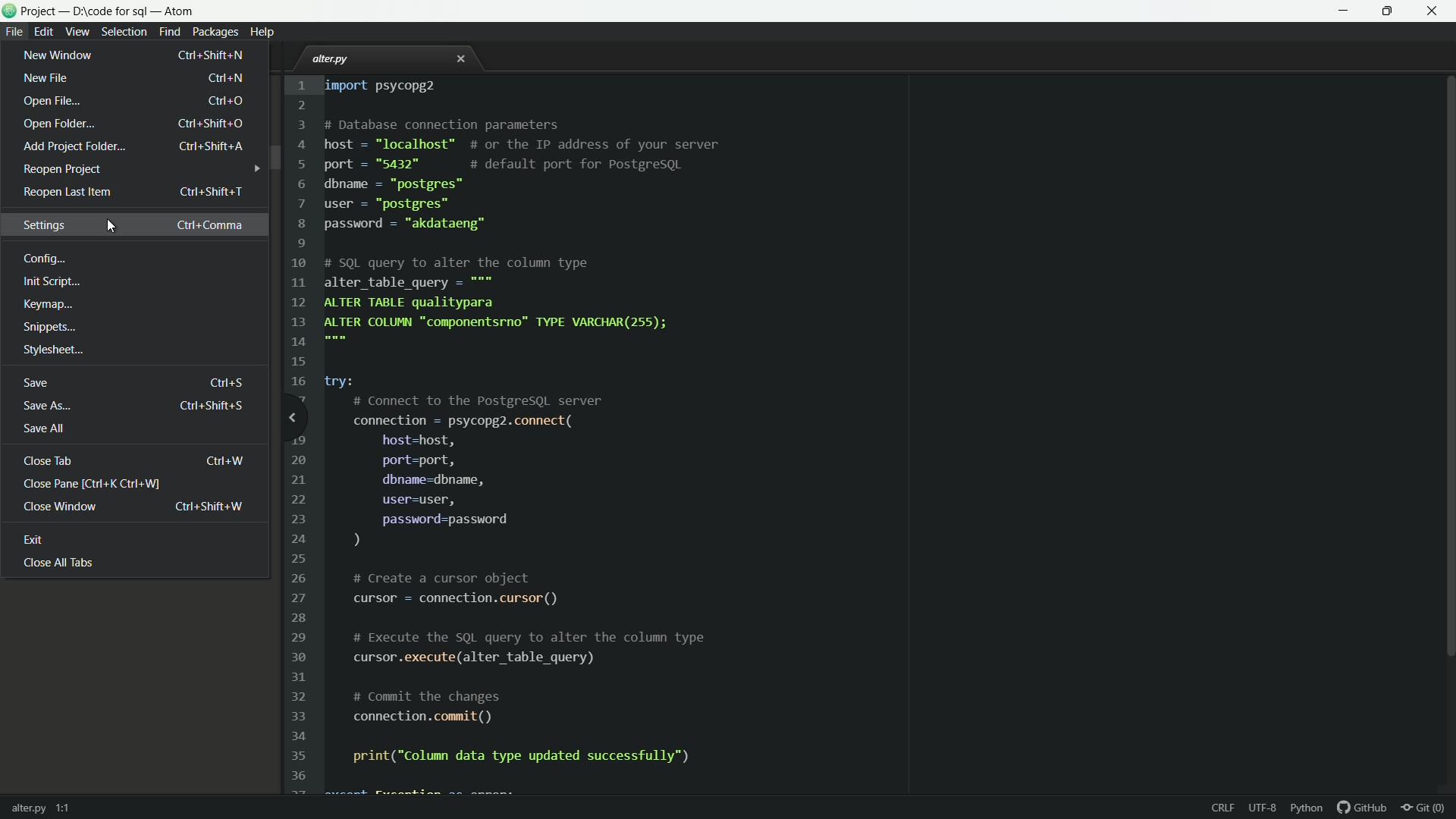 This screenshot has height=819, width=1456. Describe the element at coordinates (133, 224) in the screenshot. I see `settings` at that location.